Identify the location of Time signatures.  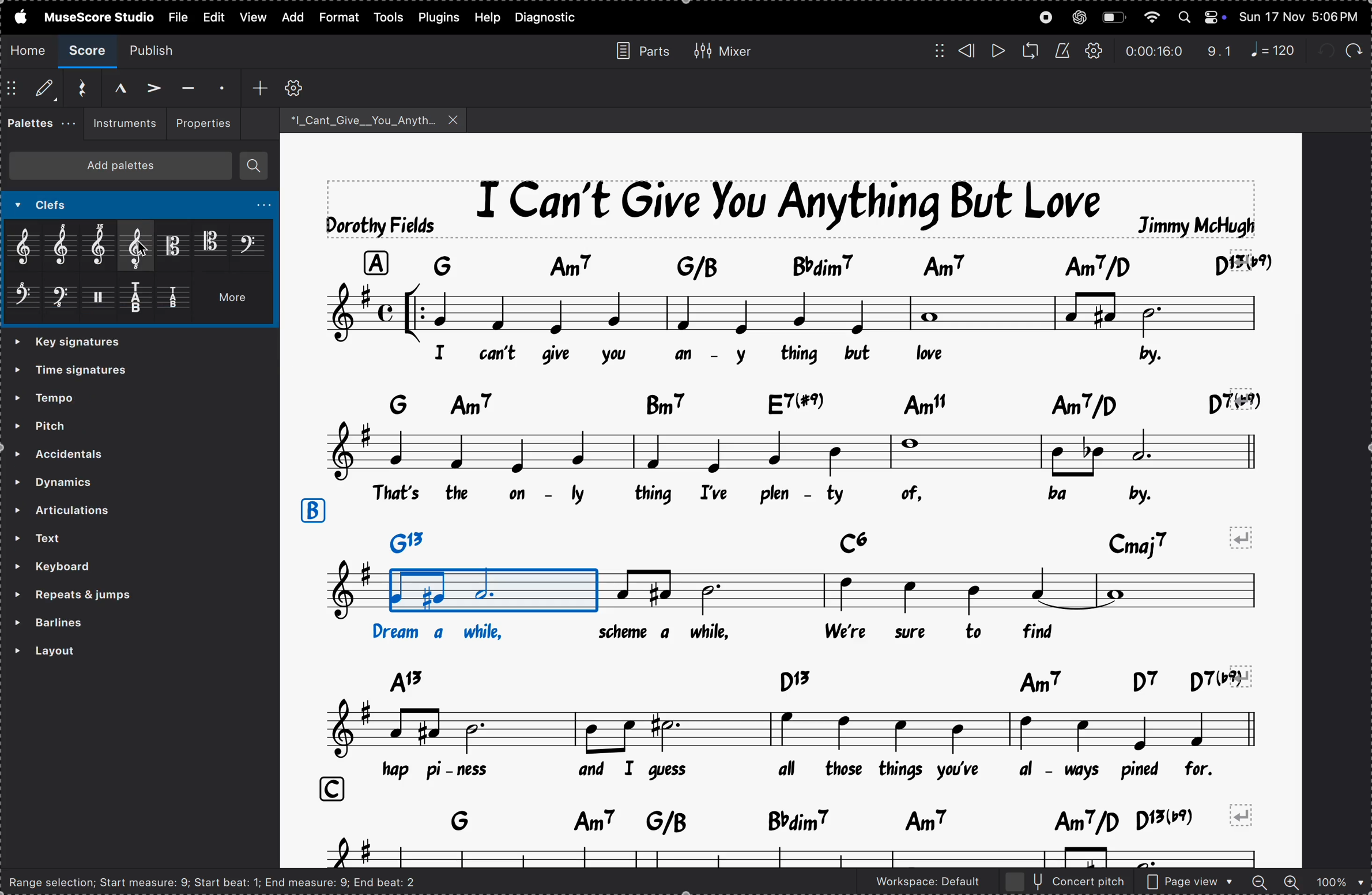
(79, 373).